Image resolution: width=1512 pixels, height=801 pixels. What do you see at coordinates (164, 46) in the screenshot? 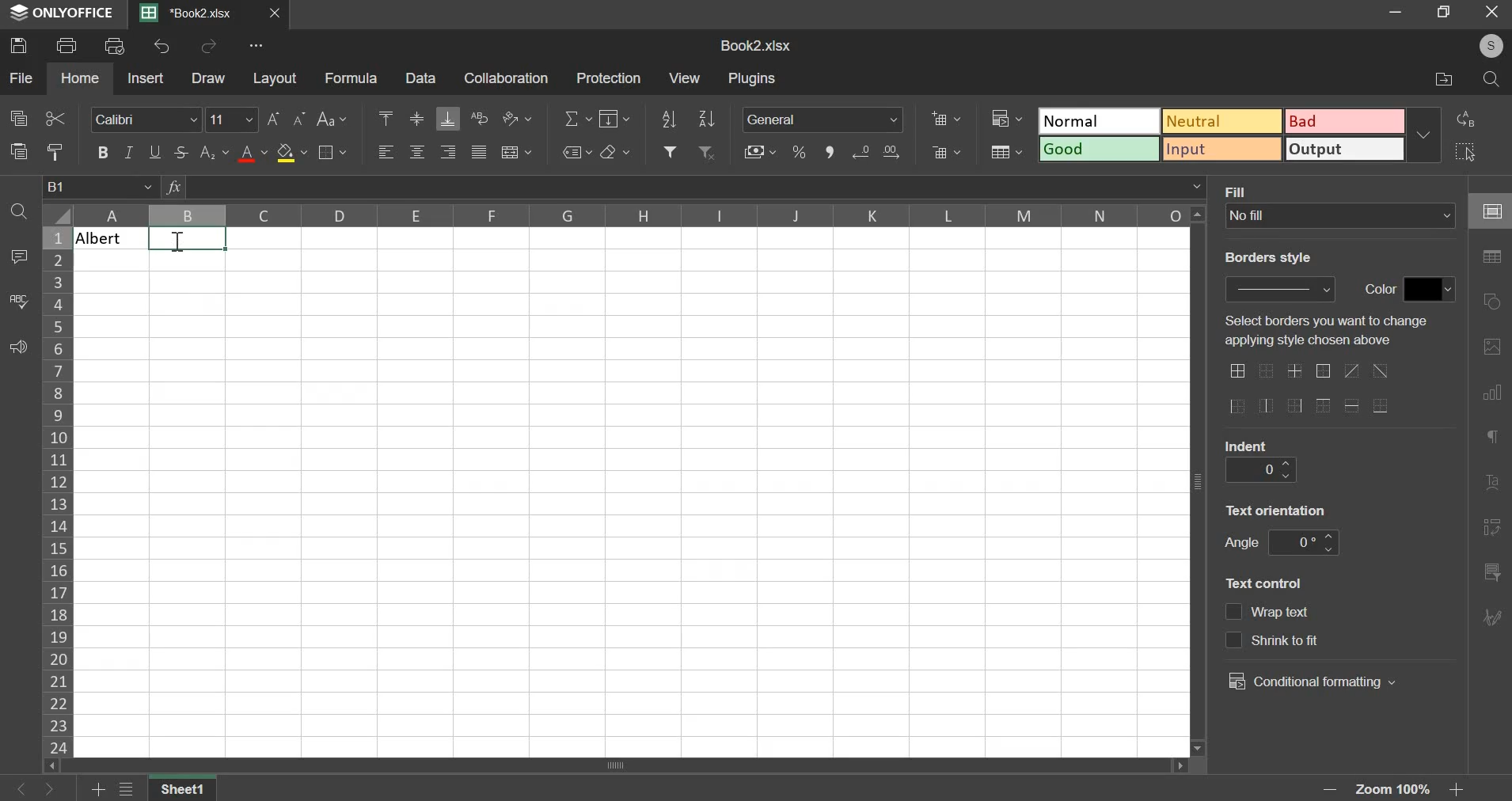
I see `undo` at bounding box center [164, 46].